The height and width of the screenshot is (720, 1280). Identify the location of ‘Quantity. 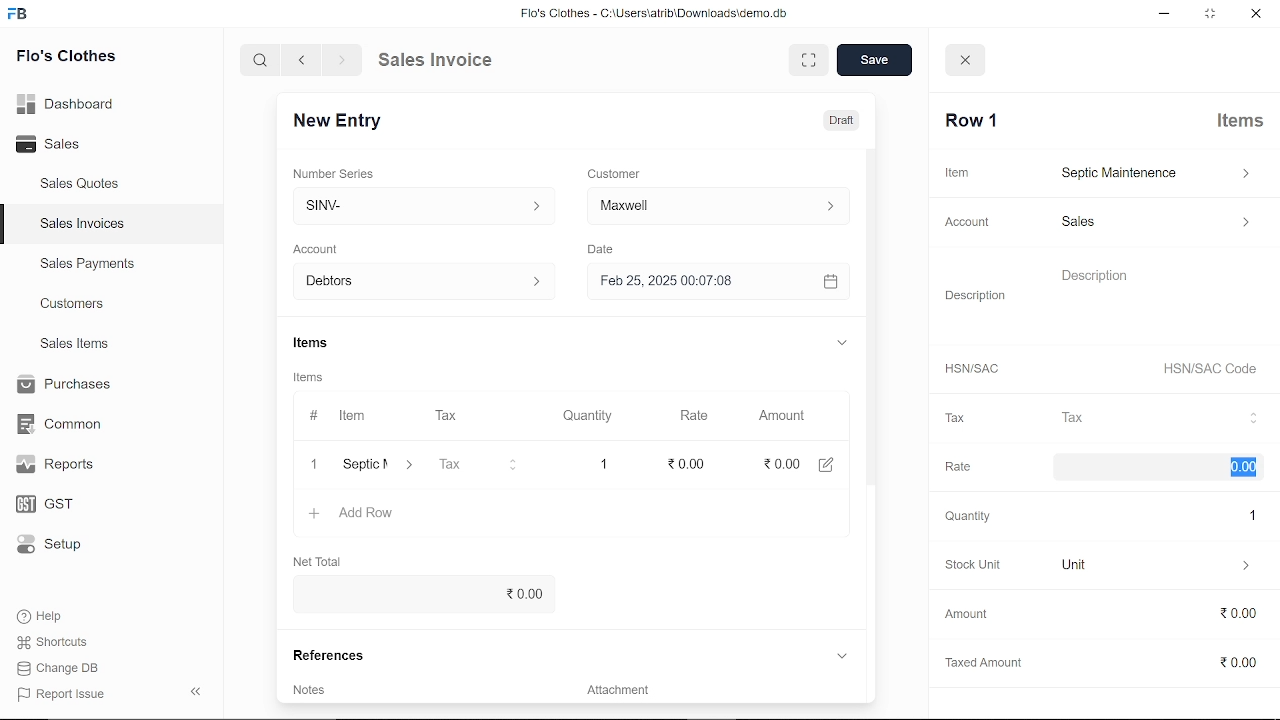
(965, 516).